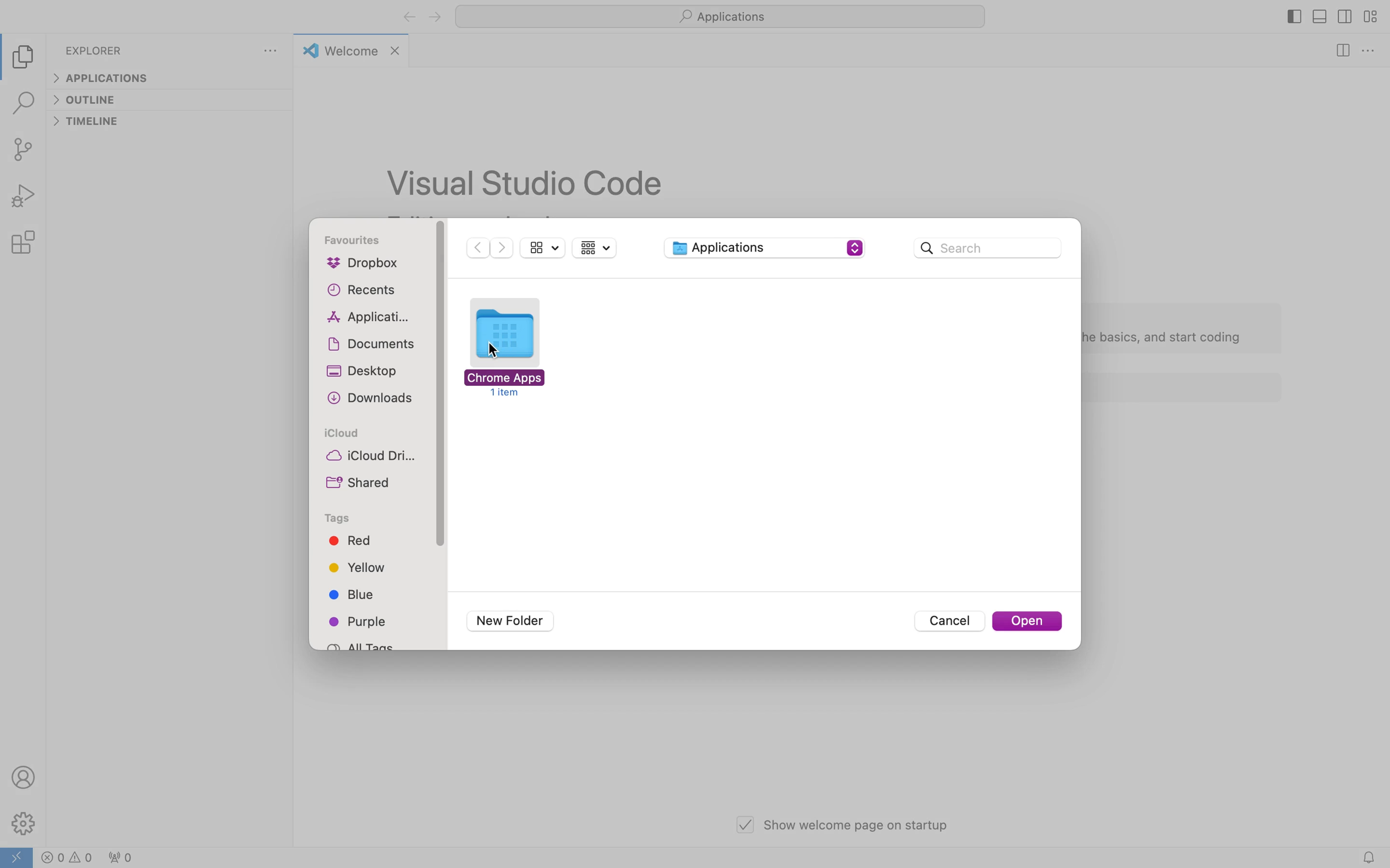 The image size is (1390, 868). What do you see at coordinates (340, 433) in the screenshot?
I see `icloud` at bounding box center [340, 433].